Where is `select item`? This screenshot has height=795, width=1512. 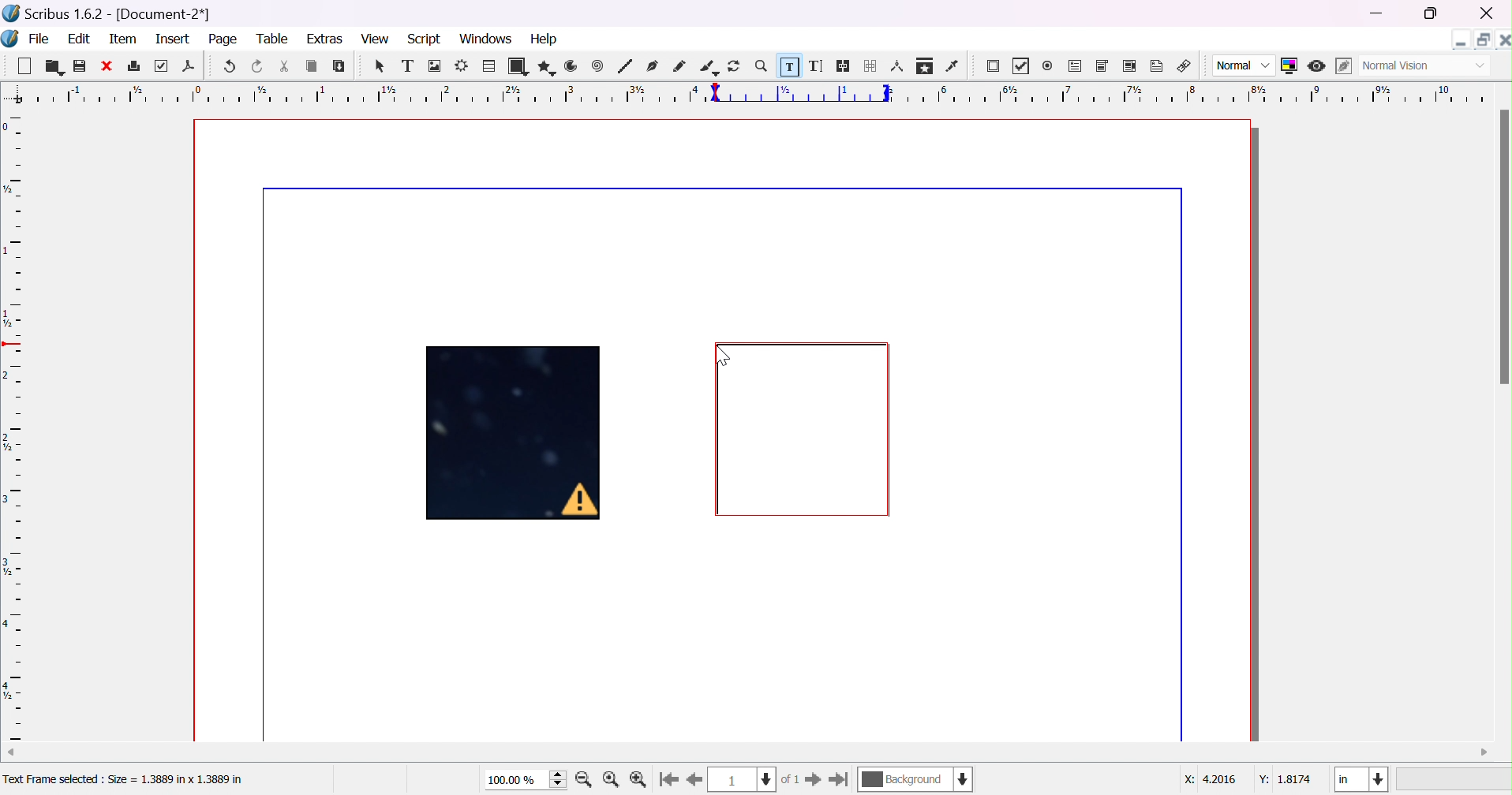 select item is located at coordinates (382, 68).